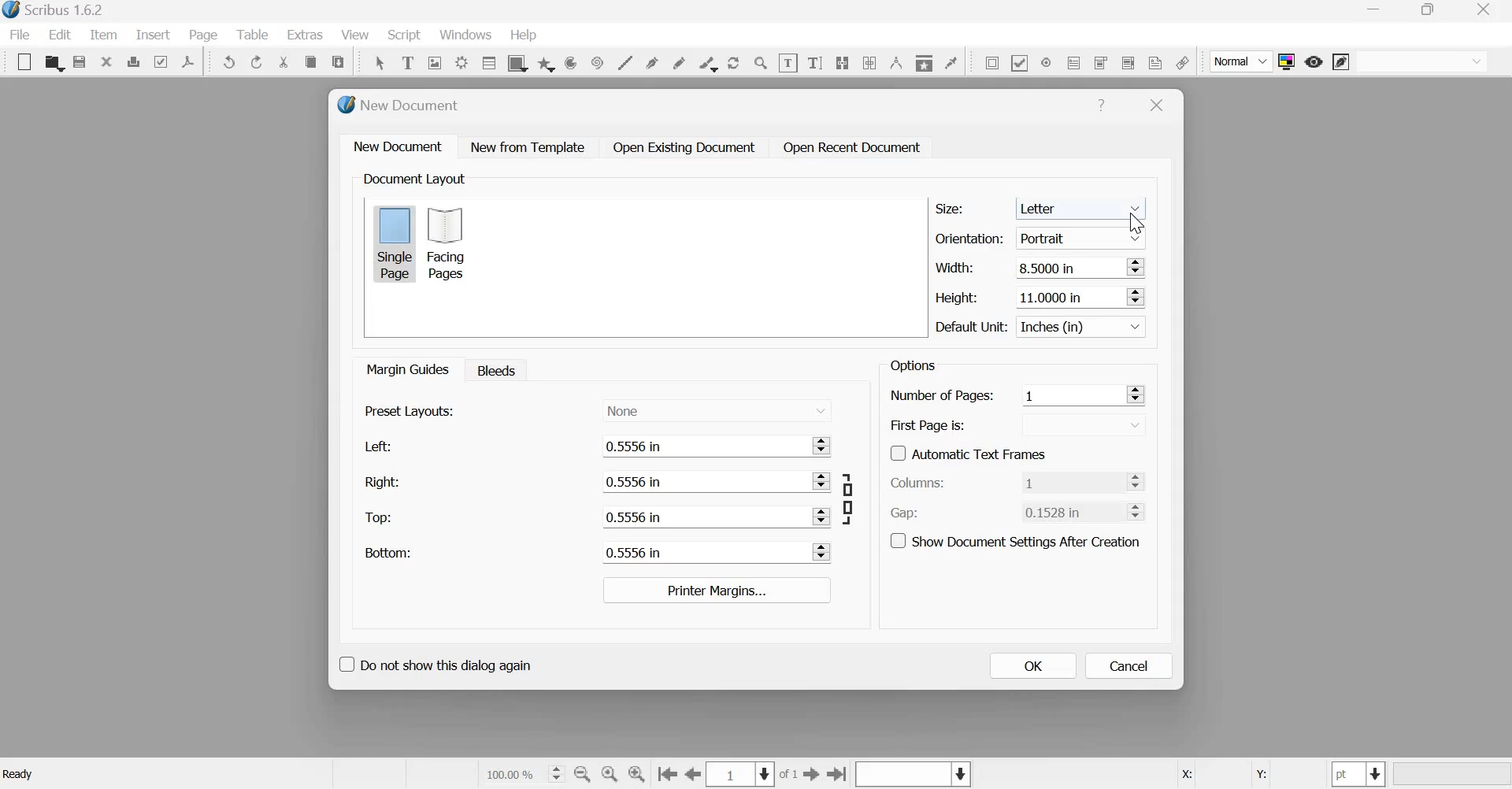  Describe the element at coordinates (450, 243) in the screenshot. I see `Facing pages` at that location.